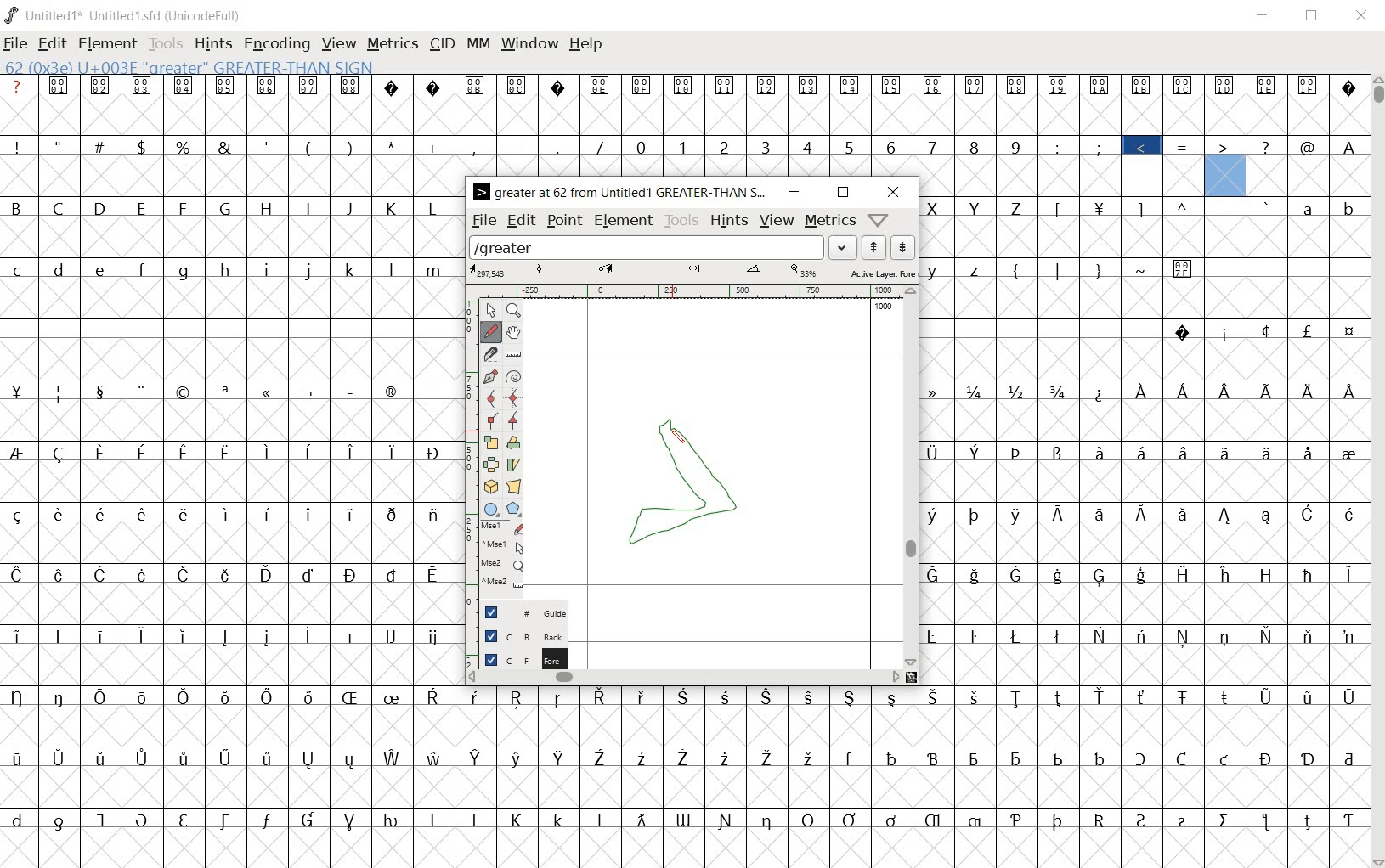 This screenshot has width=1385, height=868. What do you see at coordinates (625, 222) in the screenshot?
I see `element` at bounding box center [625, 222].